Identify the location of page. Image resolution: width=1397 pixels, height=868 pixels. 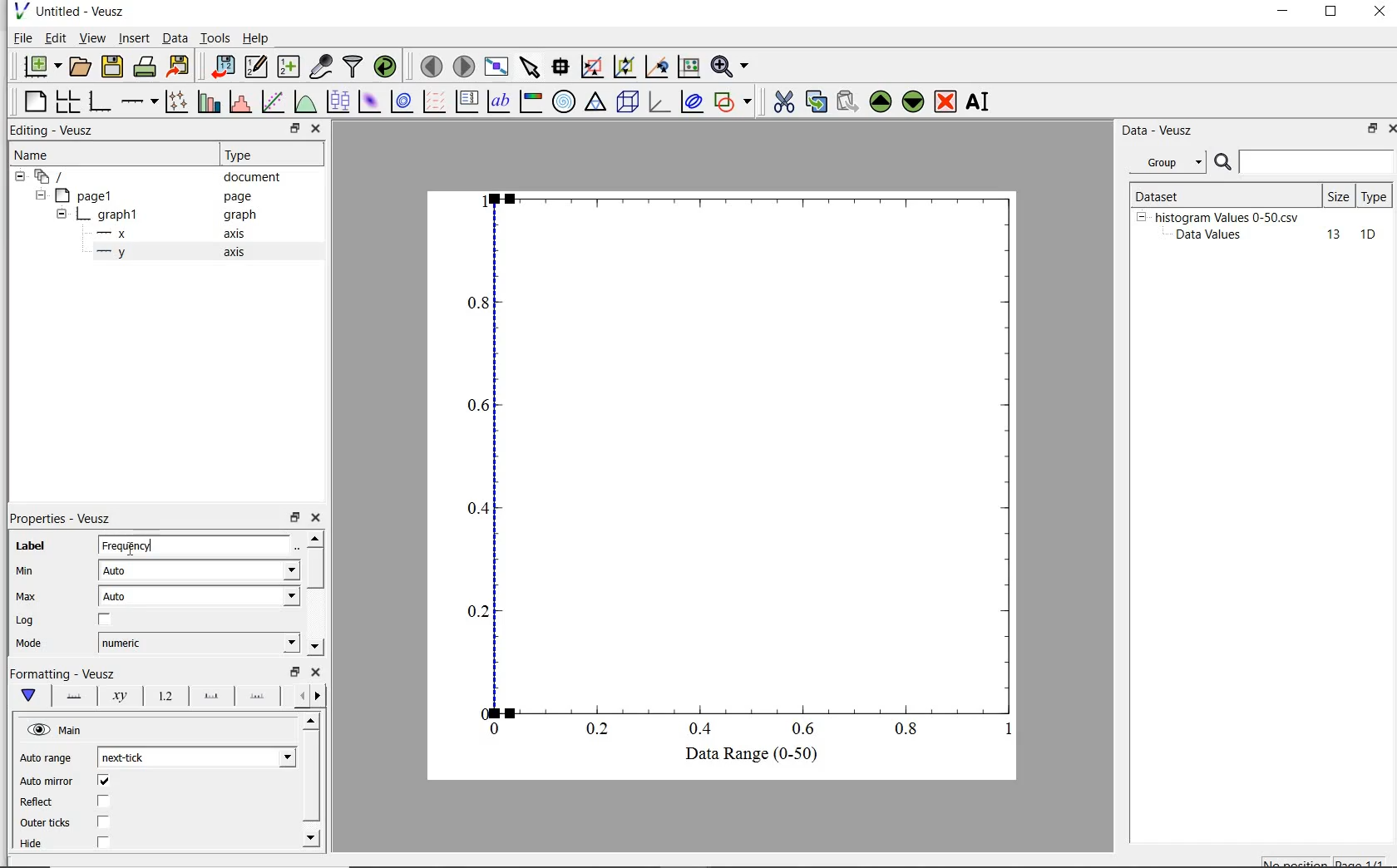
(246, 197).